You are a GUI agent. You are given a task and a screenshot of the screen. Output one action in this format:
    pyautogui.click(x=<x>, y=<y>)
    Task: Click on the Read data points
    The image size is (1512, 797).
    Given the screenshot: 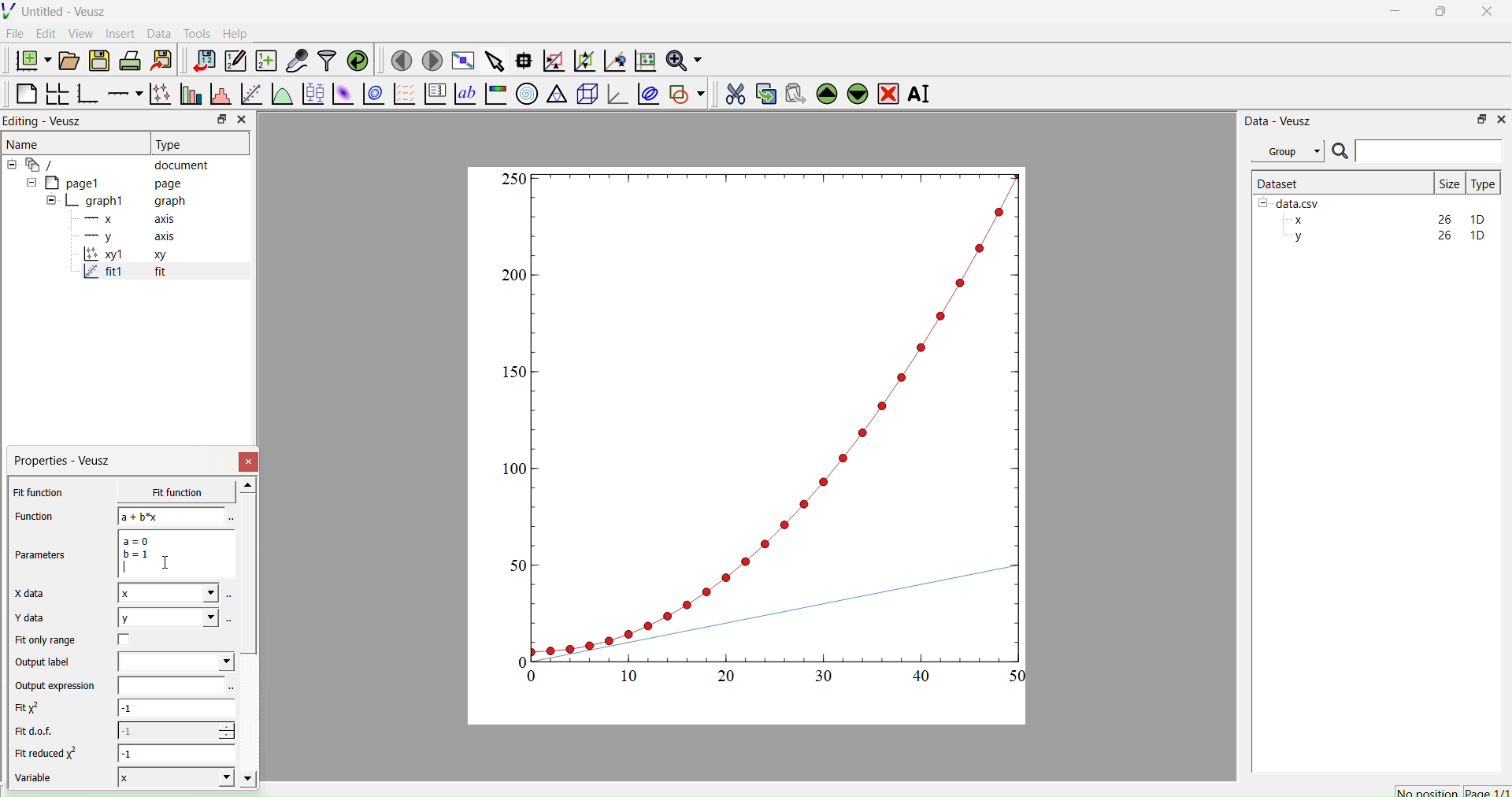 What is the action you would take?
    pyautogui.click(x=522, y=58)
    